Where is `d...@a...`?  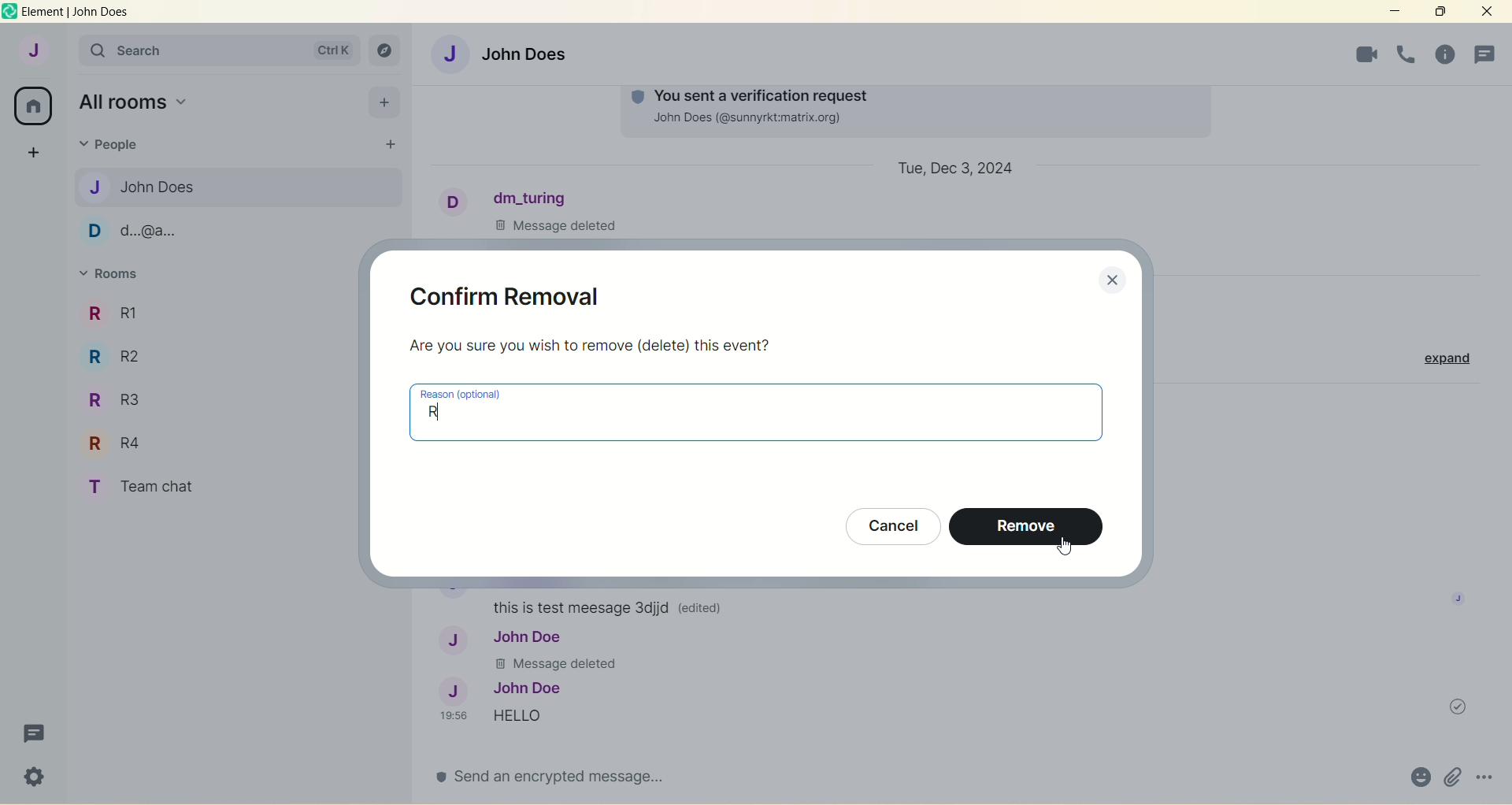
d...@a... is located at coordinates (136, 232).